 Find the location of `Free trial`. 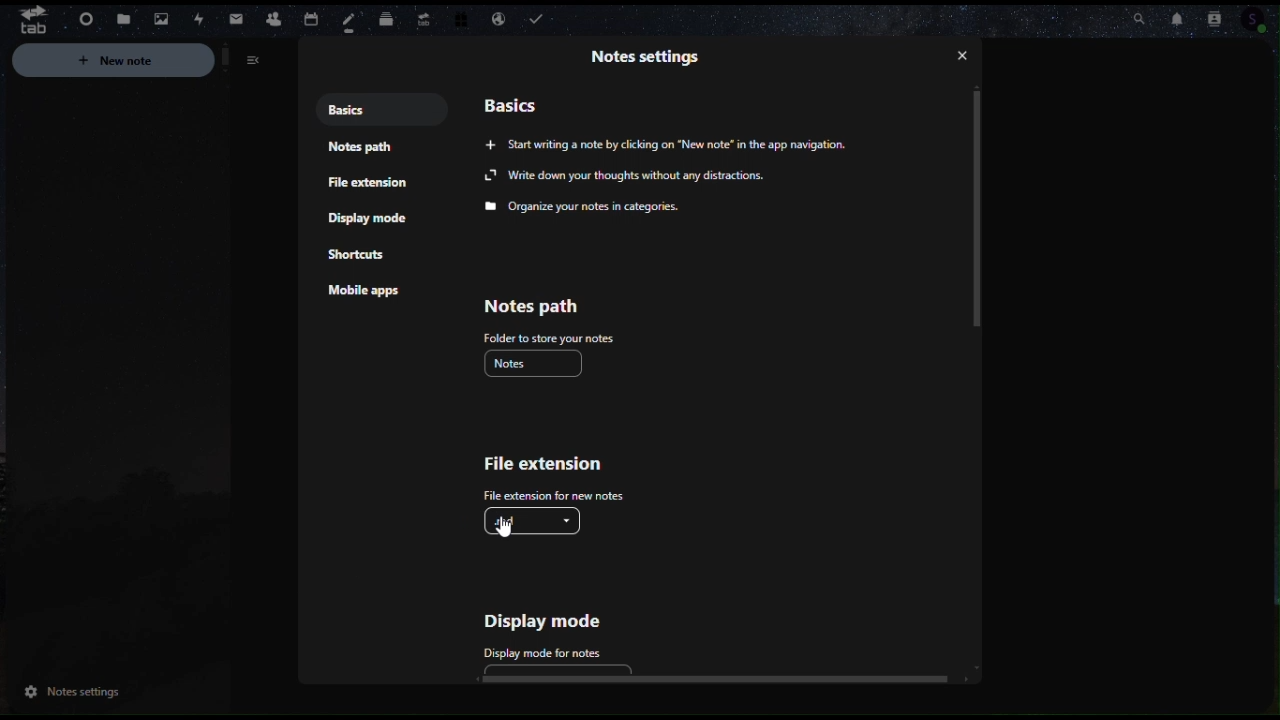

Free trial is located at coordinates (459, 20).